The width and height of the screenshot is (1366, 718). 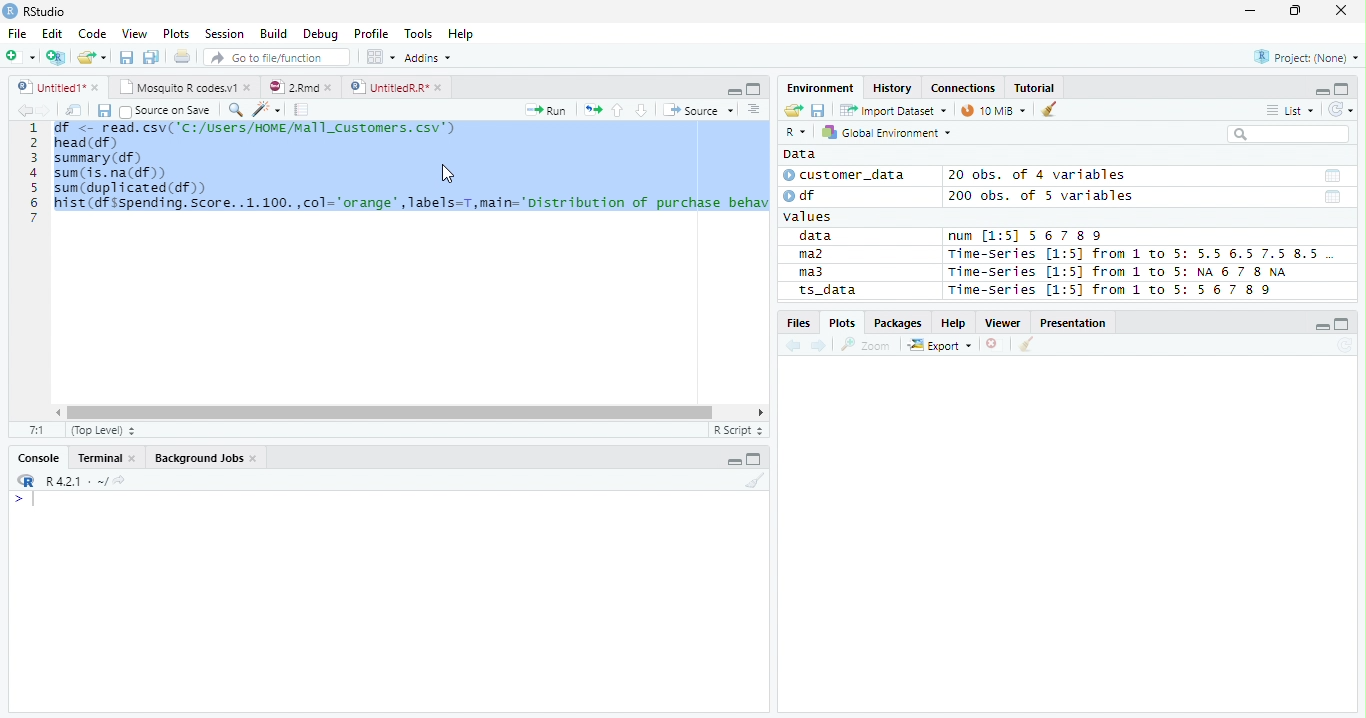 I want to click on Find/Replace, so click(x=234, y=109).